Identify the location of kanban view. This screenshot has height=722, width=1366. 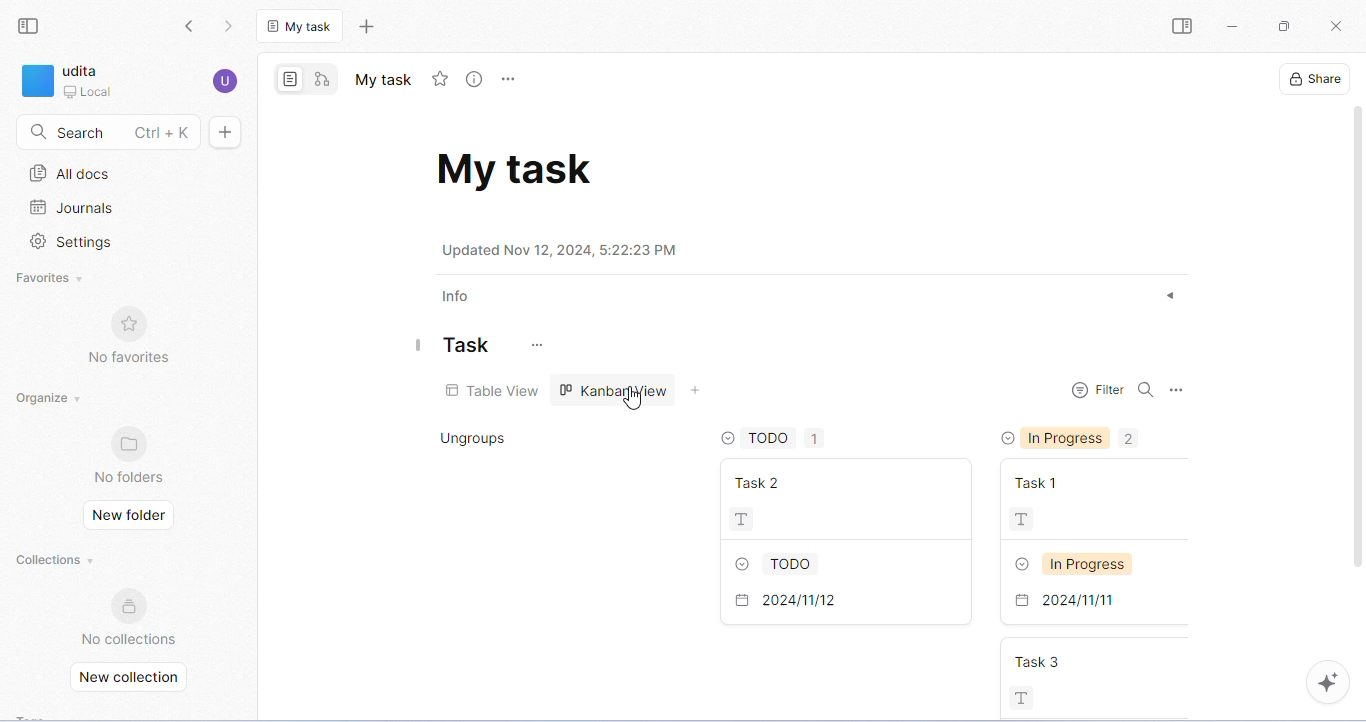
(616, 390).